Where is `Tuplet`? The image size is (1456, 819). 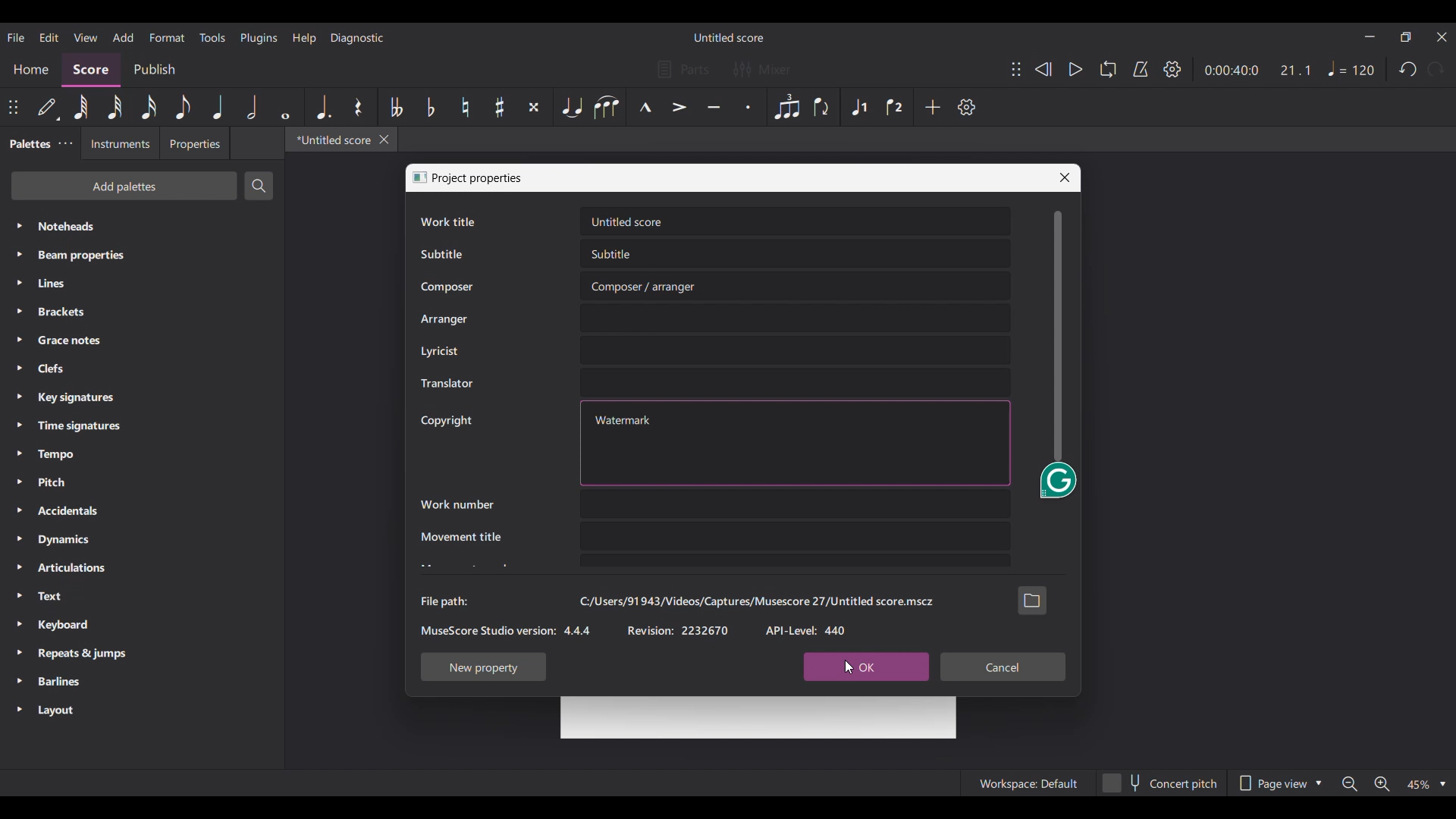 Tuplet is located at coordinates (786, 107).